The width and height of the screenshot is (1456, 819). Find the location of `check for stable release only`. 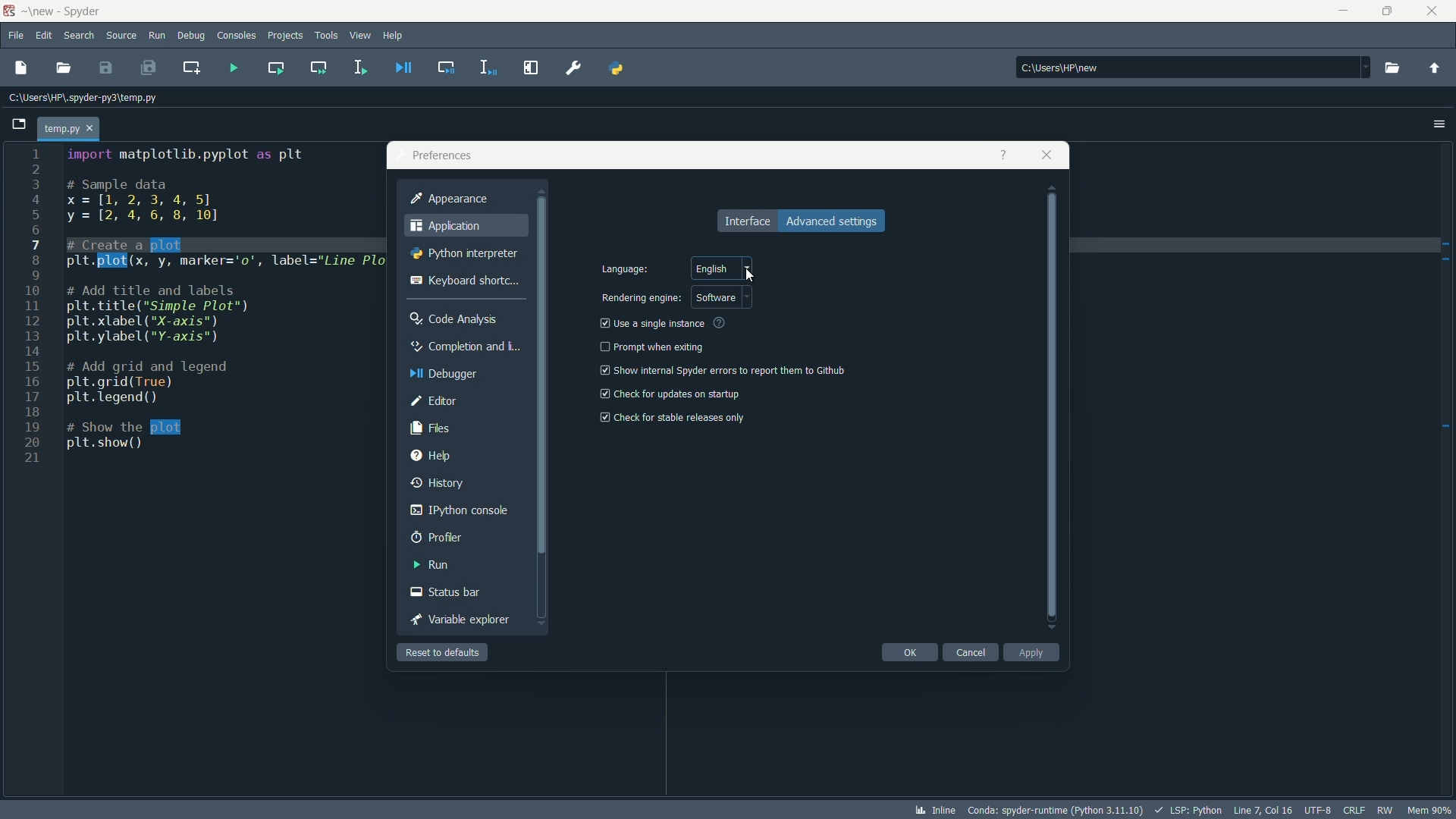

check for stable release only is located at coordinates (680, 418).